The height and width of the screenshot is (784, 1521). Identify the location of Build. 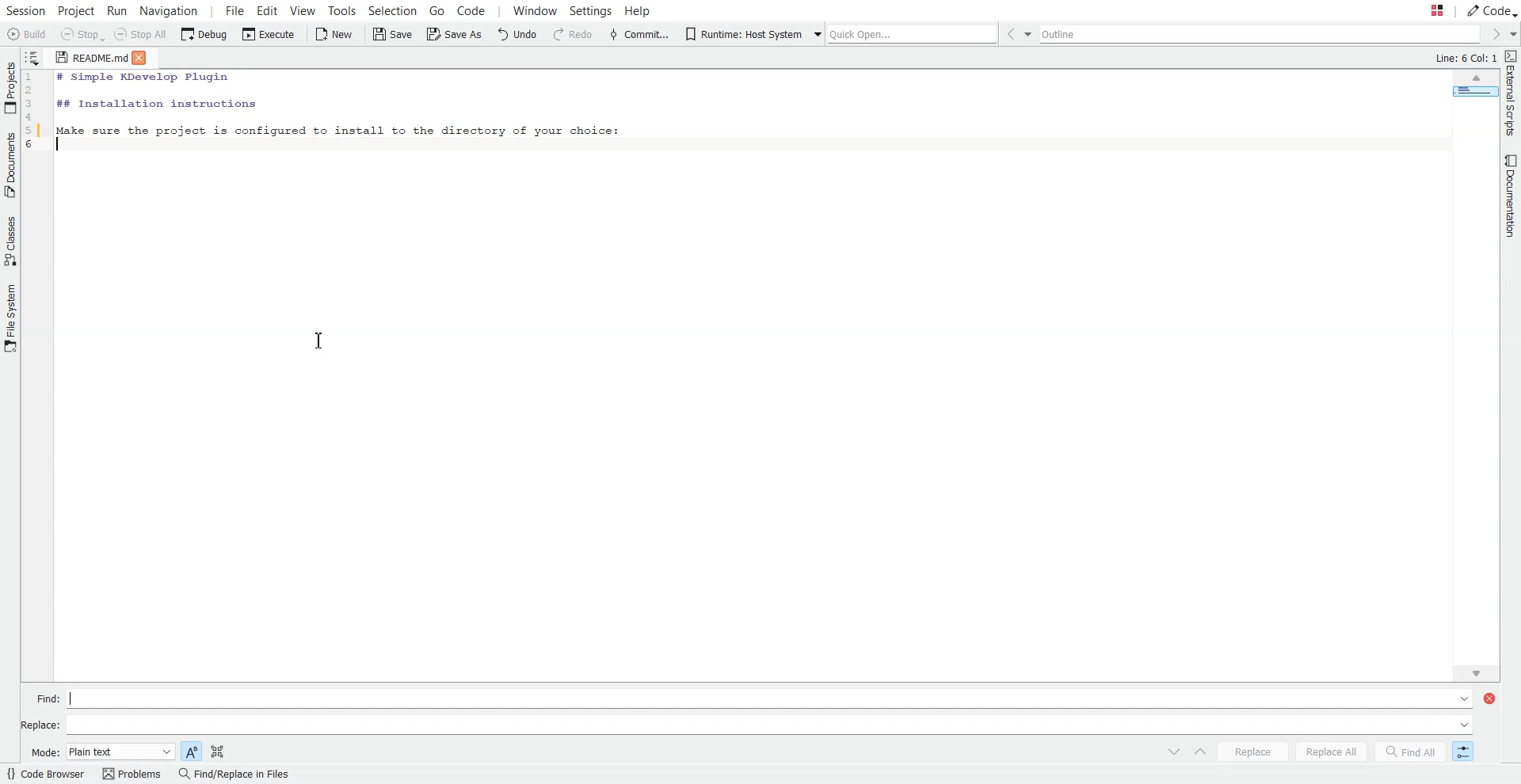
(27, 34).